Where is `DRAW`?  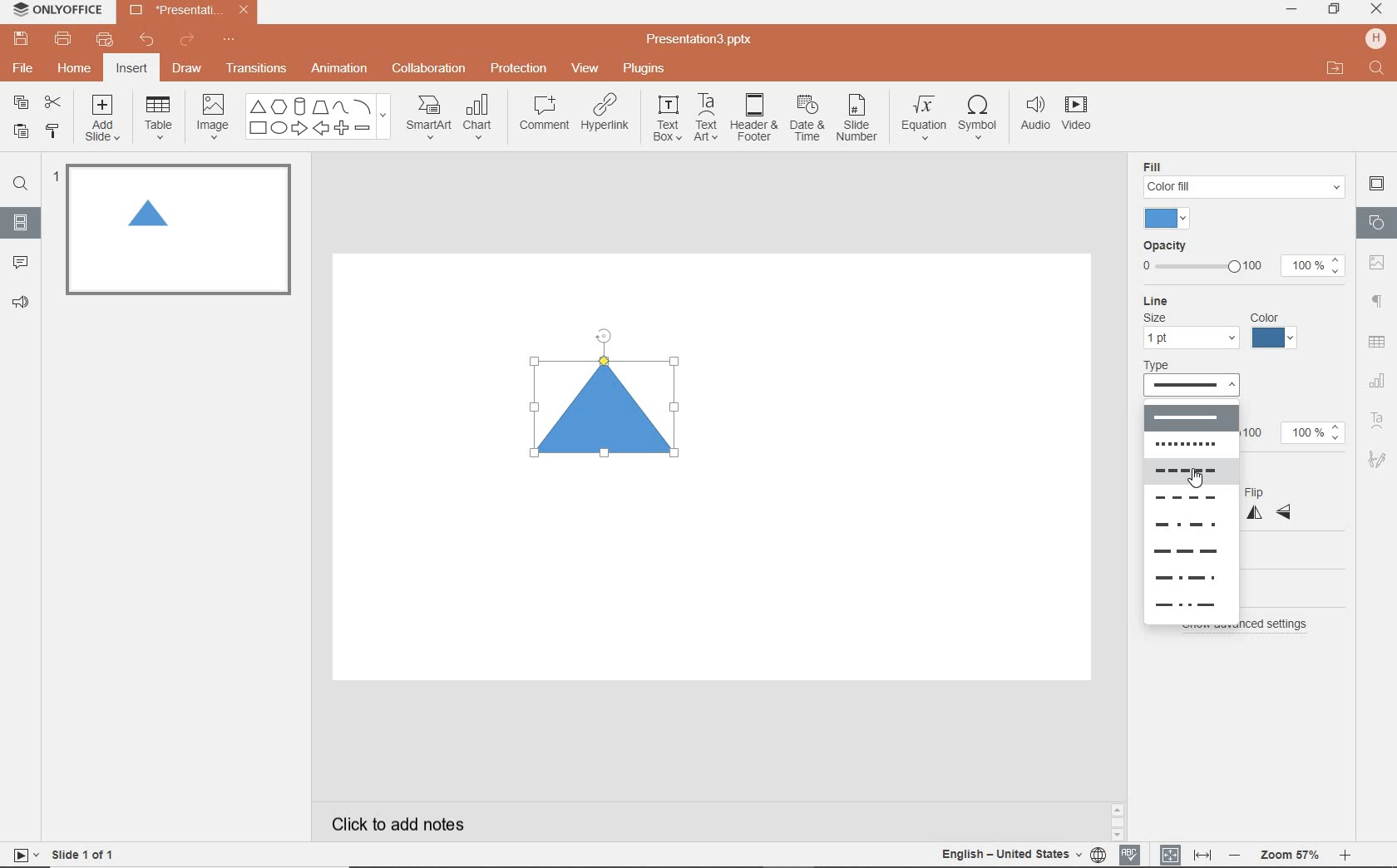 DRAW is located at coordinates (188, 70).